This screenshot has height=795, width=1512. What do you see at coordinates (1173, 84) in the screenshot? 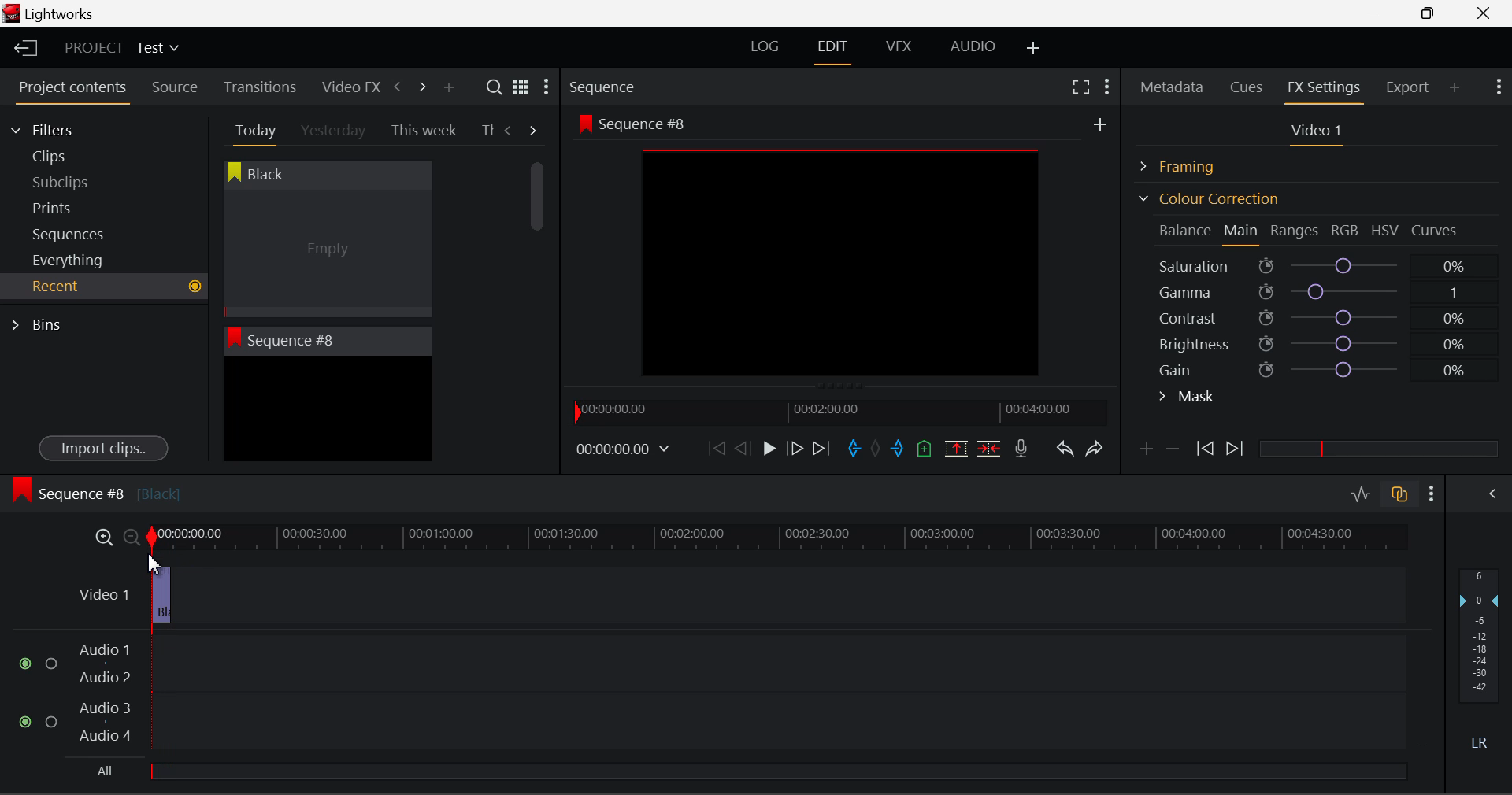
I see `Metadata Panel` at bounding box center [1173, 84].